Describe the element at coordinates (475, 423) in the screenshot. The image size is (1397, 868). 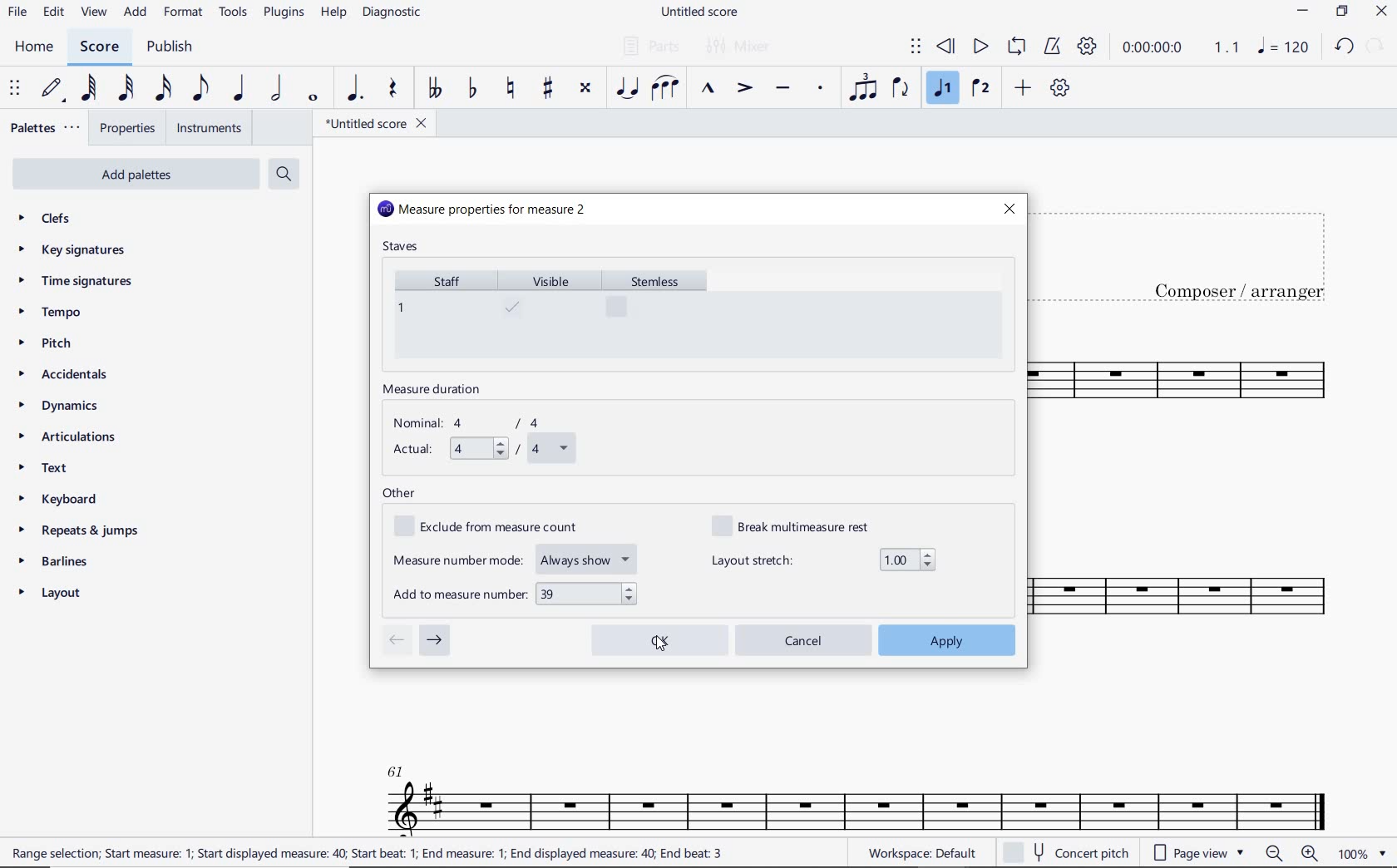
I see `nominal` at that location.